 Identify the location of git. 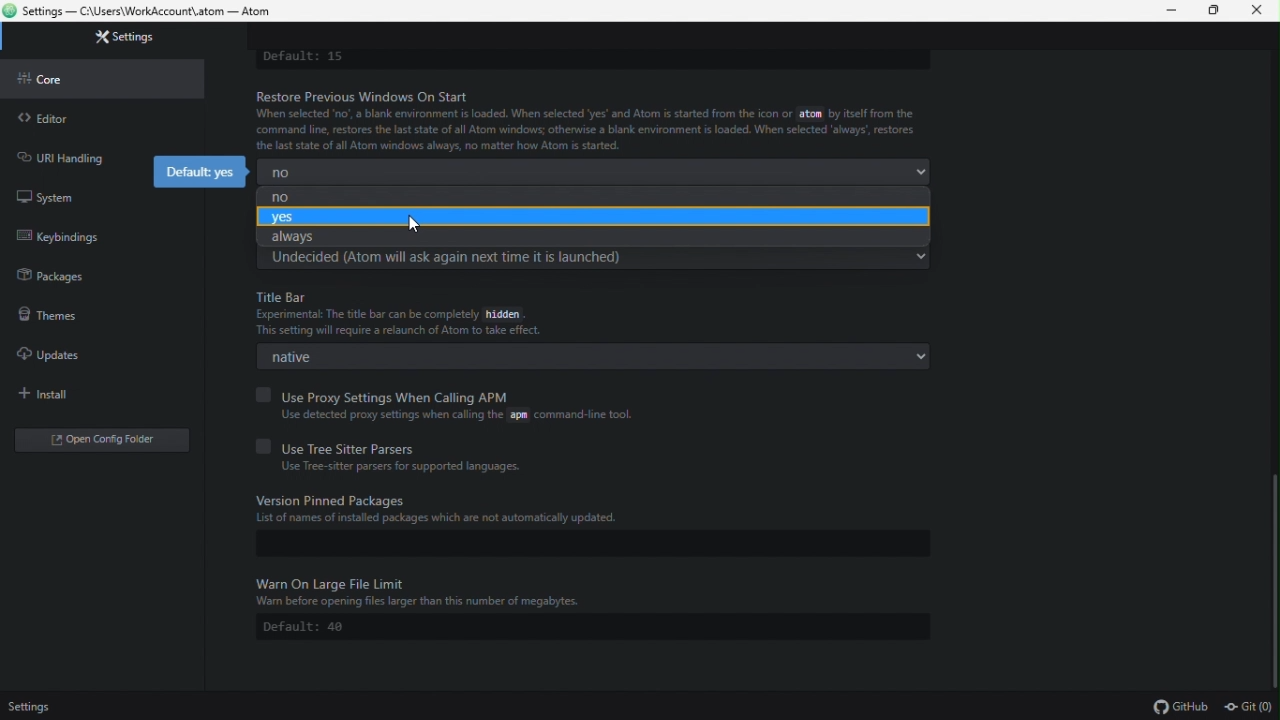
(1250, 706).